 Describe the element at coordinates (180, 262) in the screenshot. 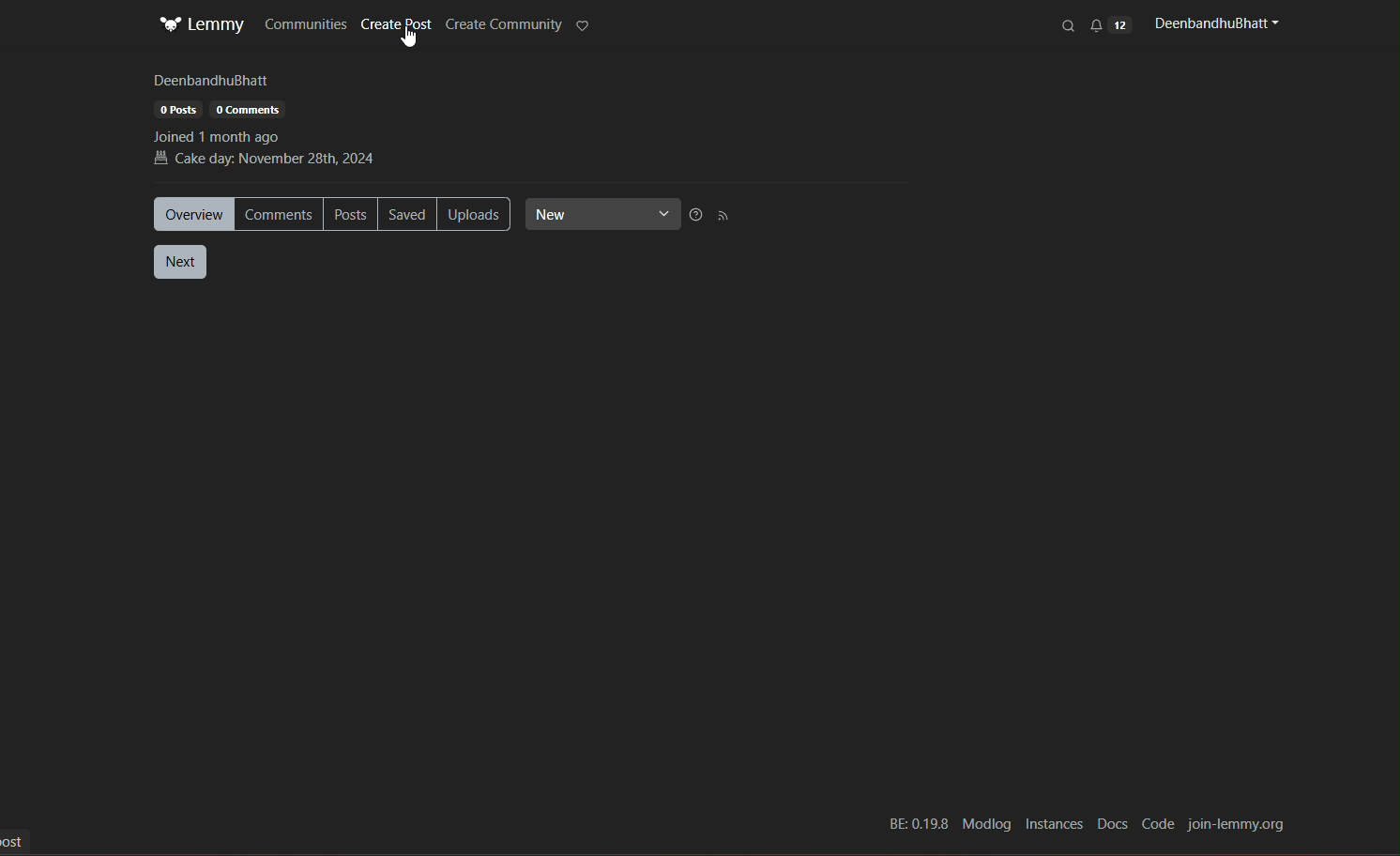

I see `next` at that location.